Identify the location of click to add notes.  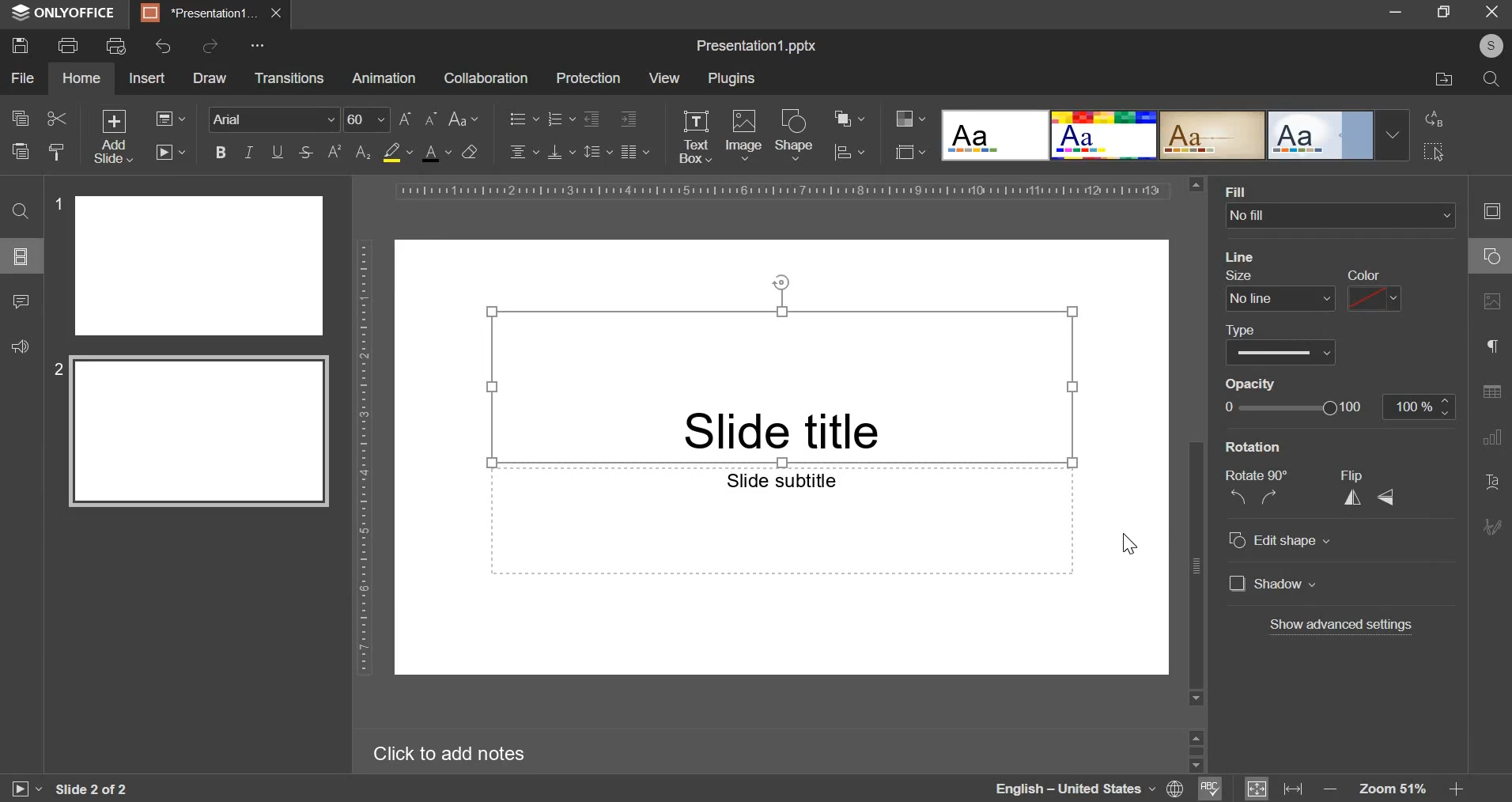
(460, 753).